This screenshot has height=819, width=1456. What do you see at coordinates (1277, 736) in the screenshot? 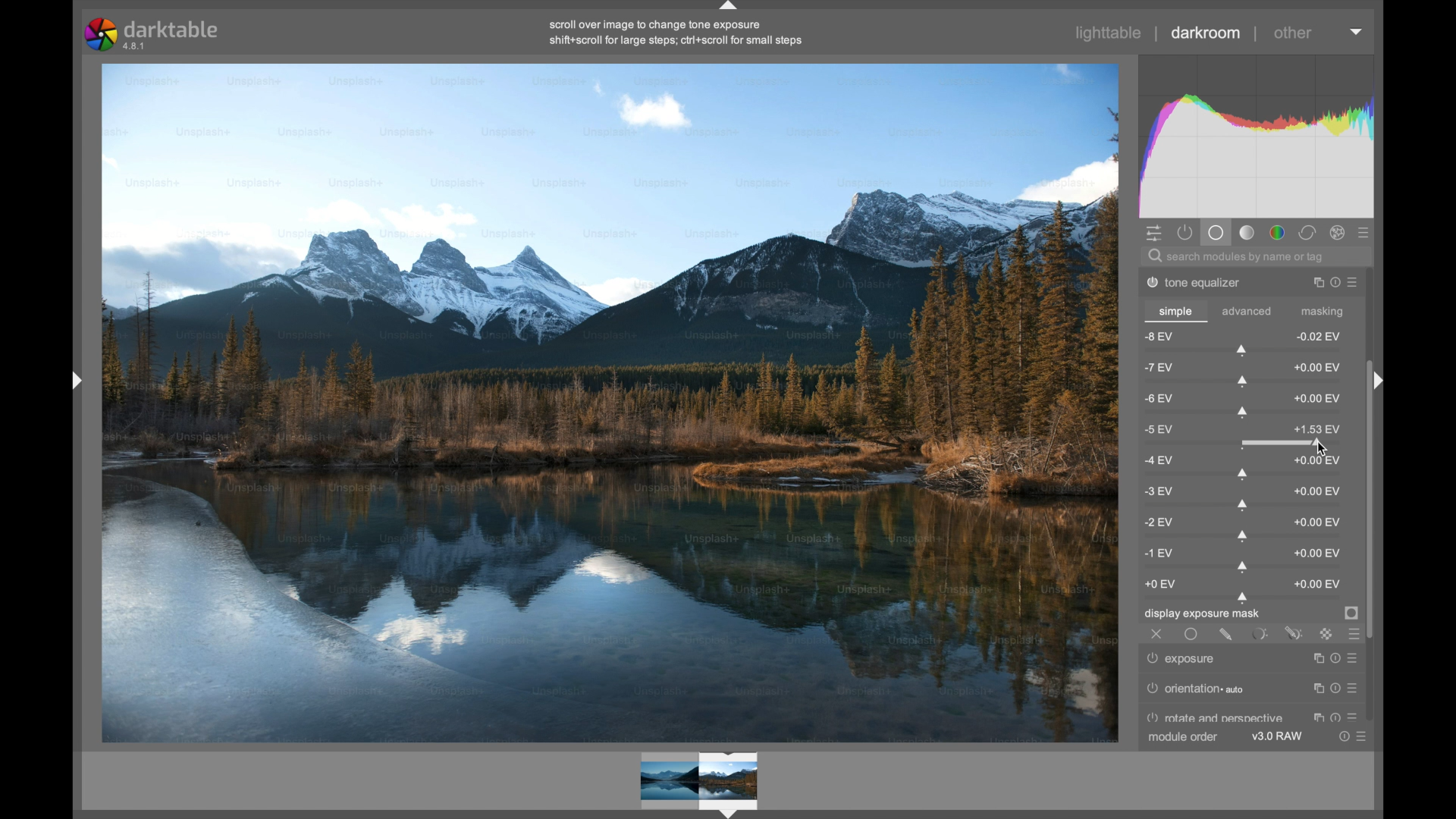
I see `v3.0 raw` at bounding box center [1277, 736].